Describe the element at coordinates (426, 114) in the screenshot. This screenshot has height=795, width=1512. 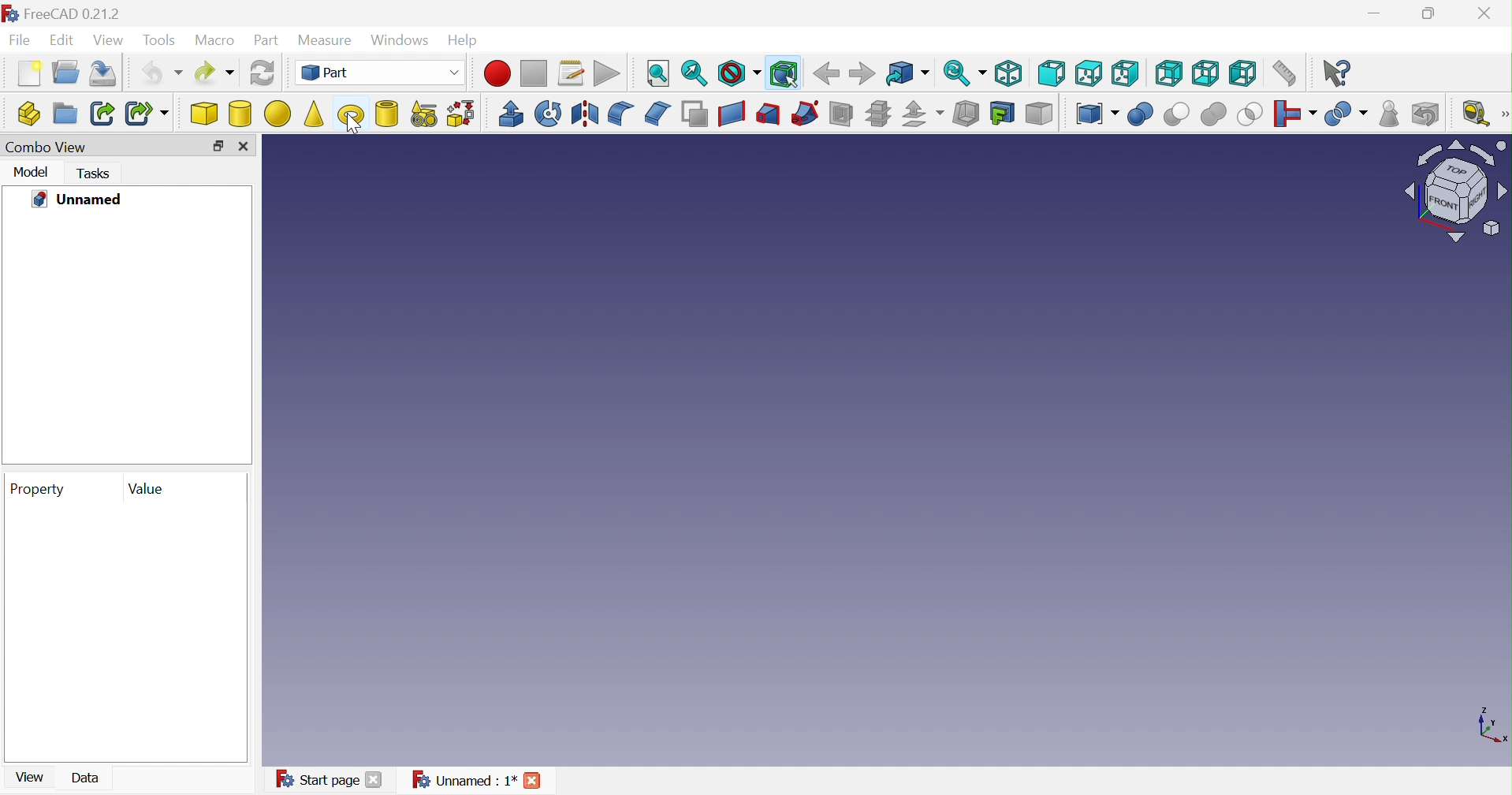
I see `Create primitives` at that location.